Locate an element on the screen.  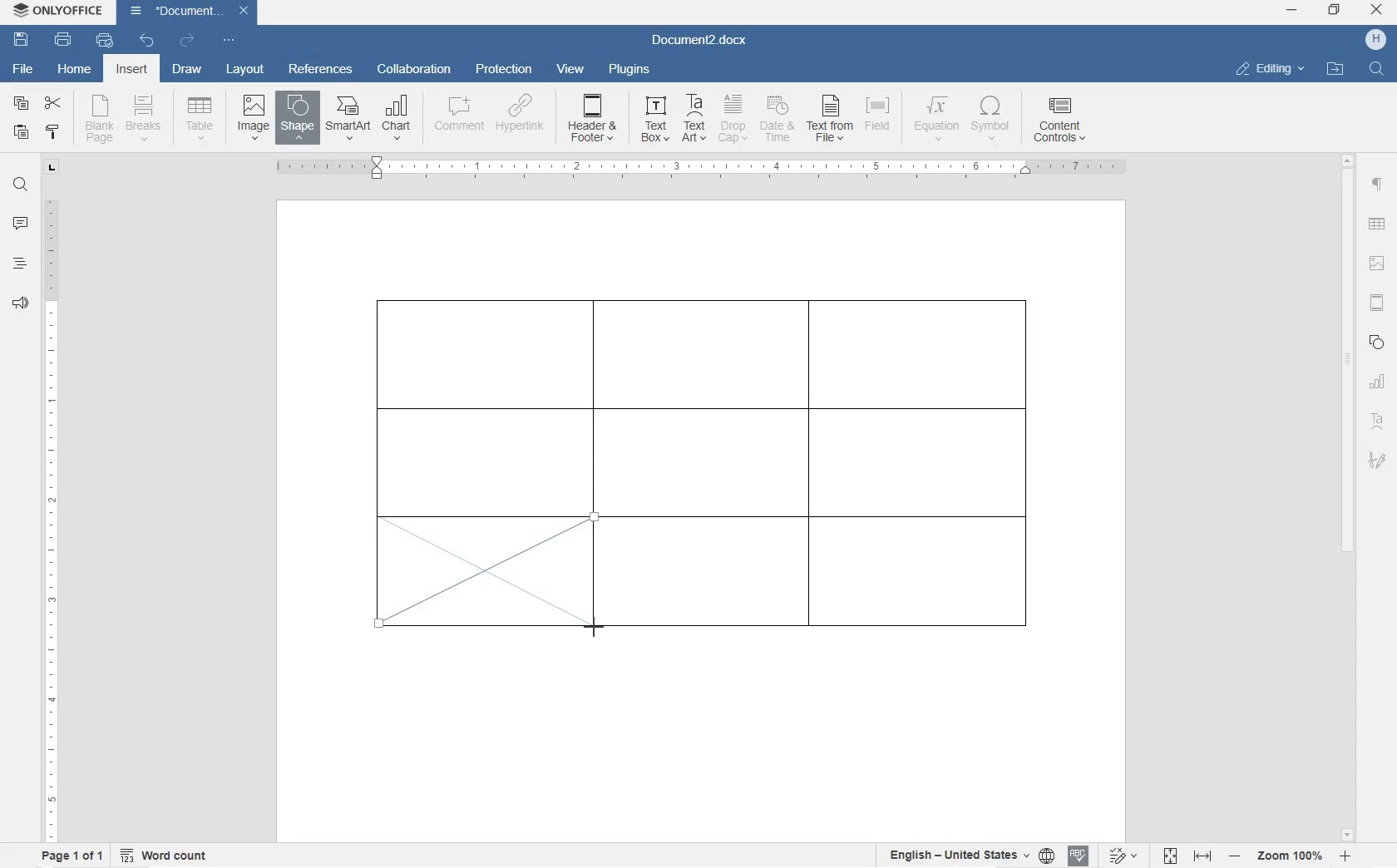
ONLYOFFICE is located at coordinates (61, 11).